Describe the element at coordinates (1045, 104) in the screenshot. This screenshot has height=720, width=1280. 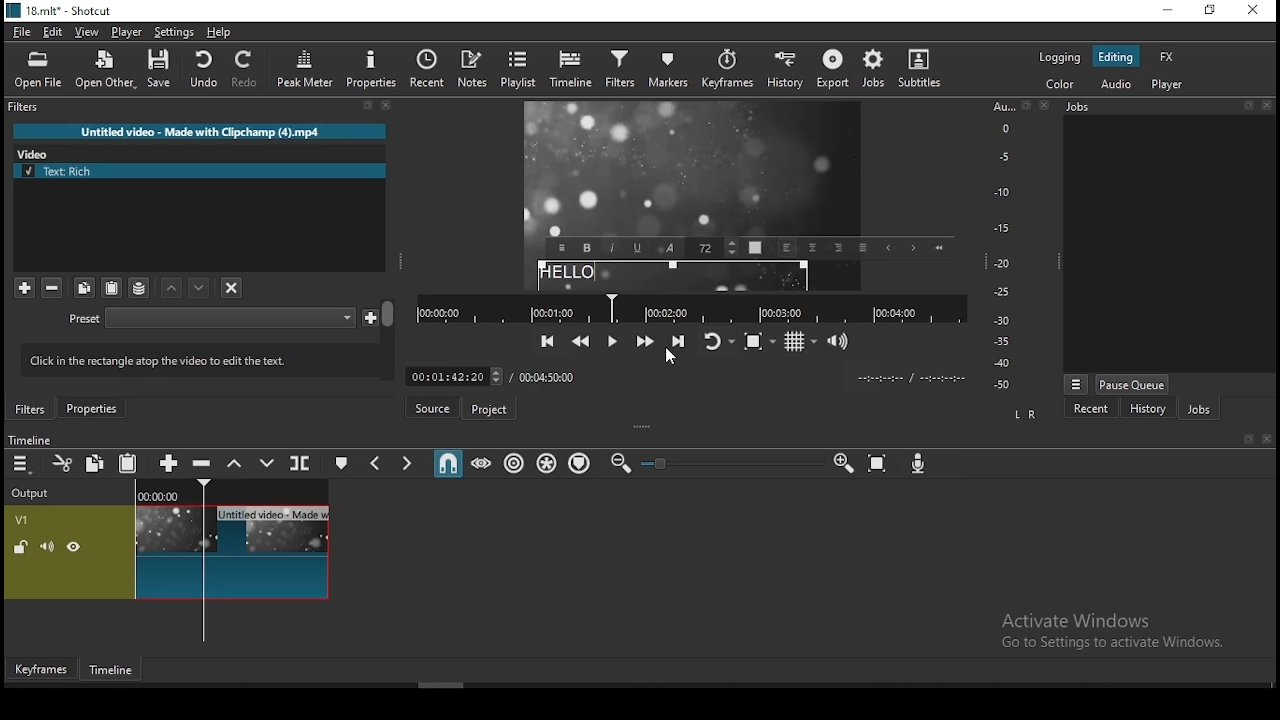
I see `Close` at that location.